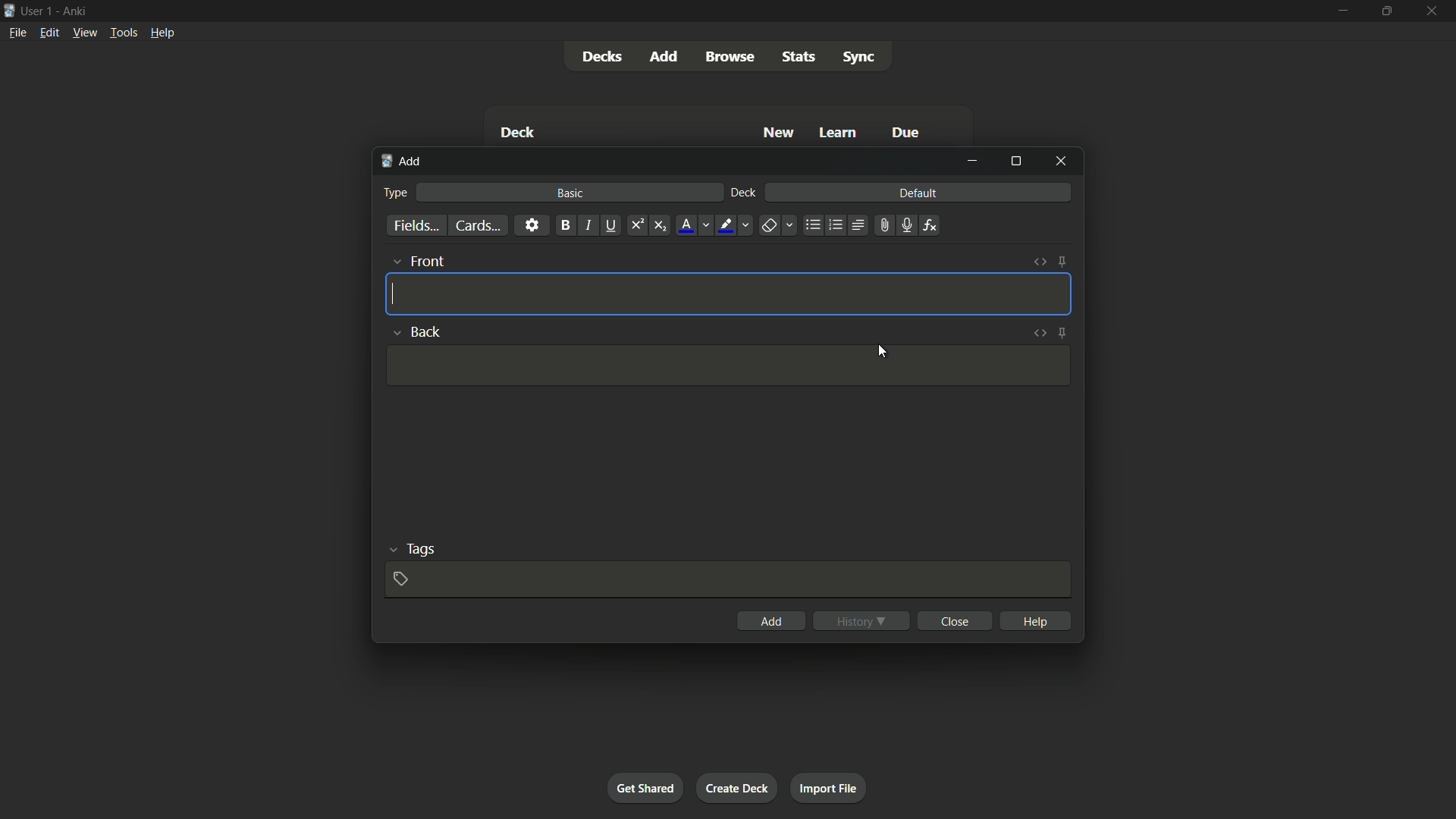  What do you see at coordinates (9, 9) in the screenshot?
I see `app icon` at bounding box center [9, 9].